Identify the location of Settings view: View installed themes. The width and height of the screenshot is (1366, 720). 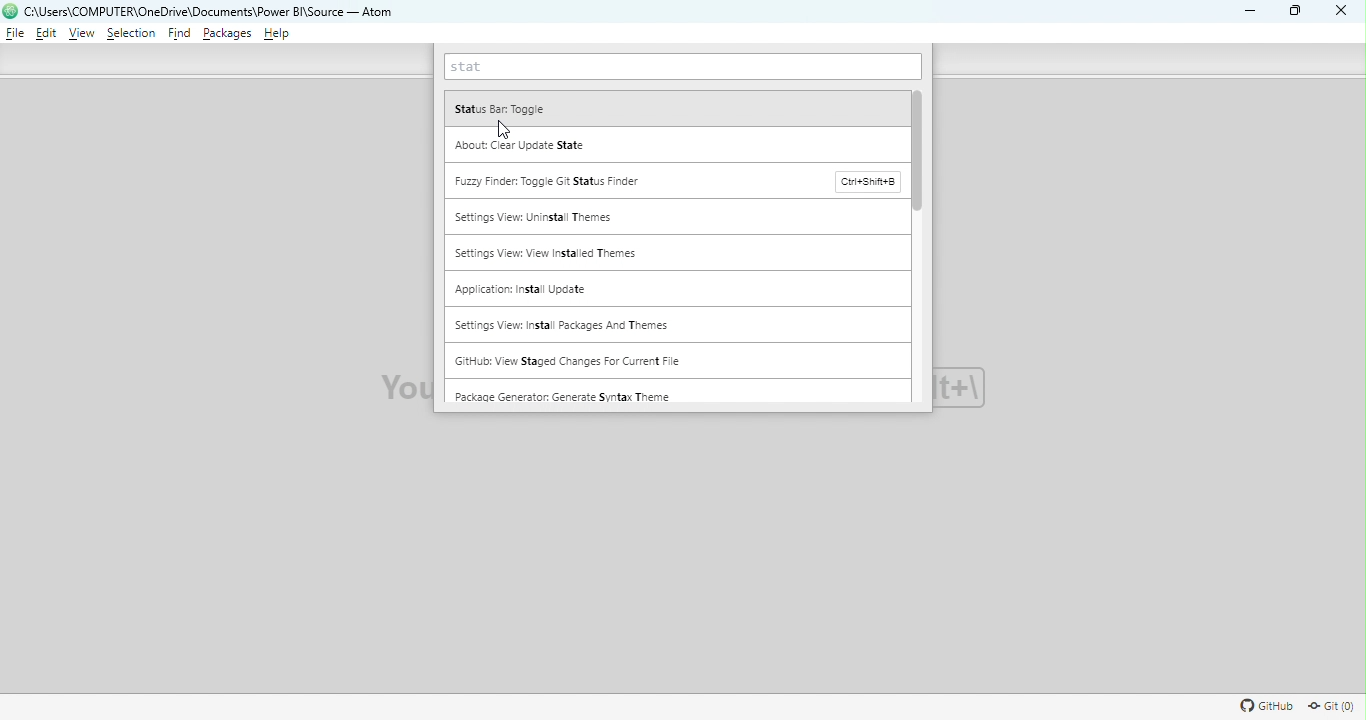
(678, 254).